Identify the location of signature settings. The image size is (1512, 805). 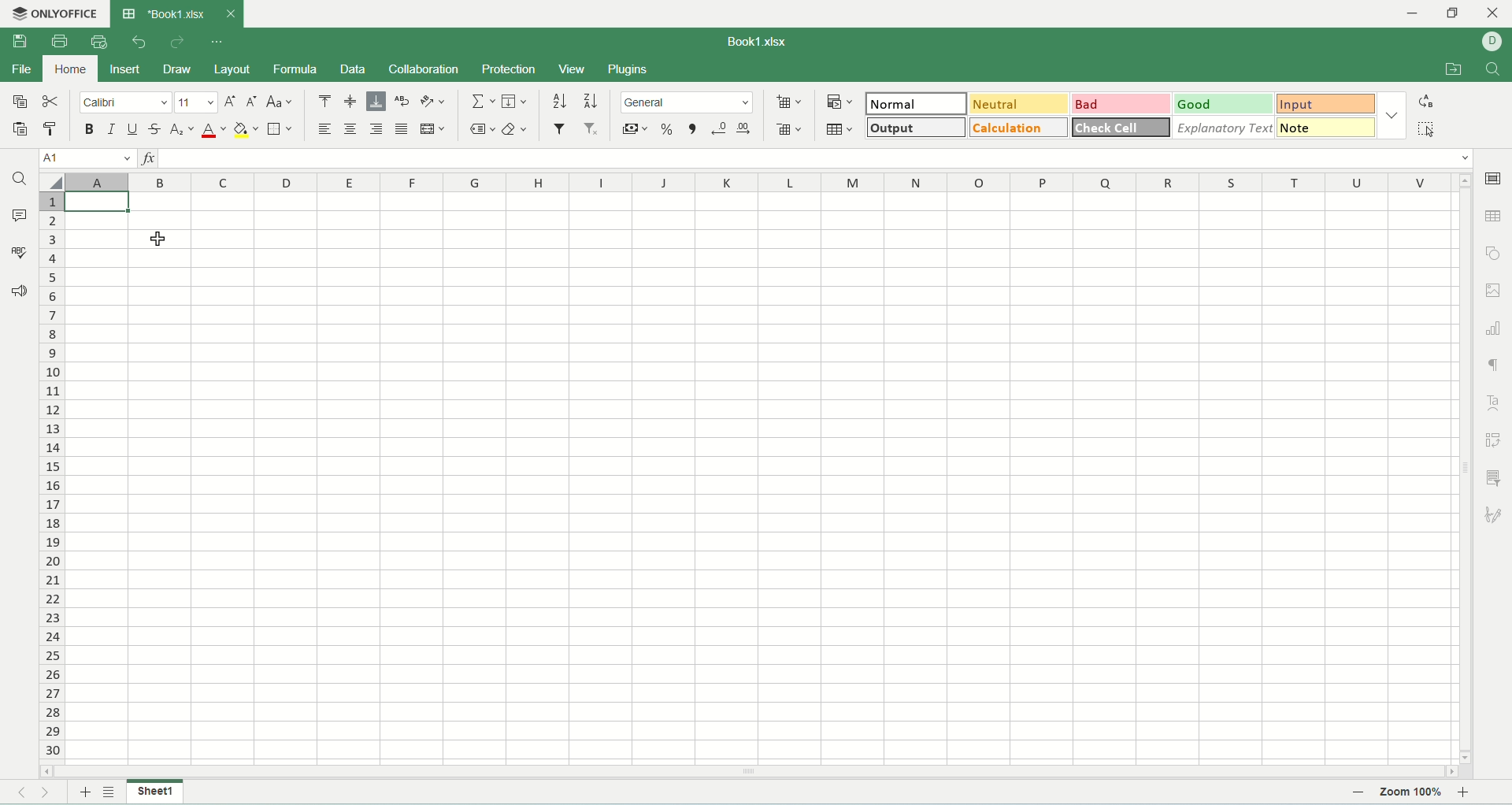
(1495, 514).